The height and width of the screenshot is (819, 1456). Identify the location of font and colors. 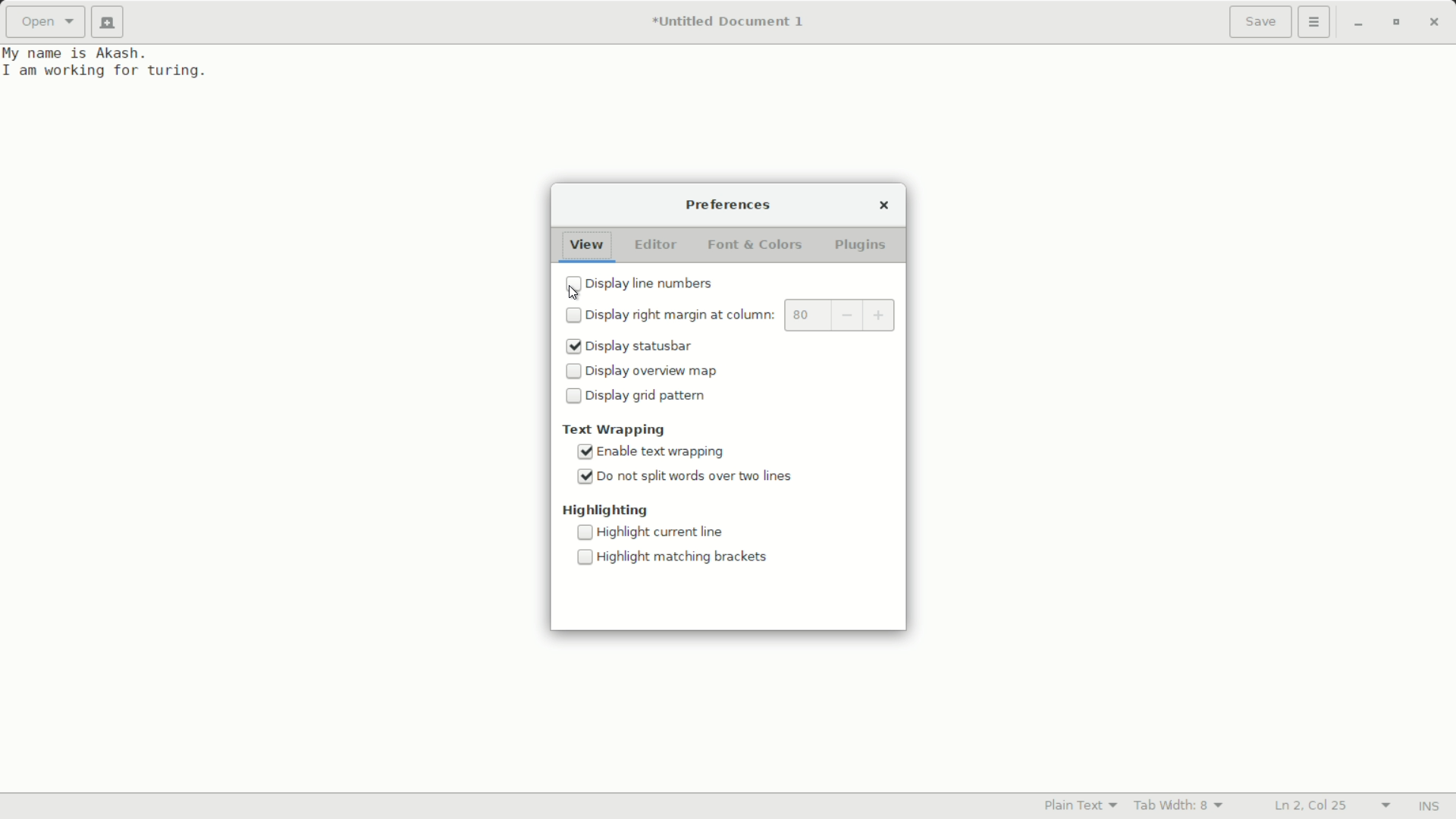
(756, 245).